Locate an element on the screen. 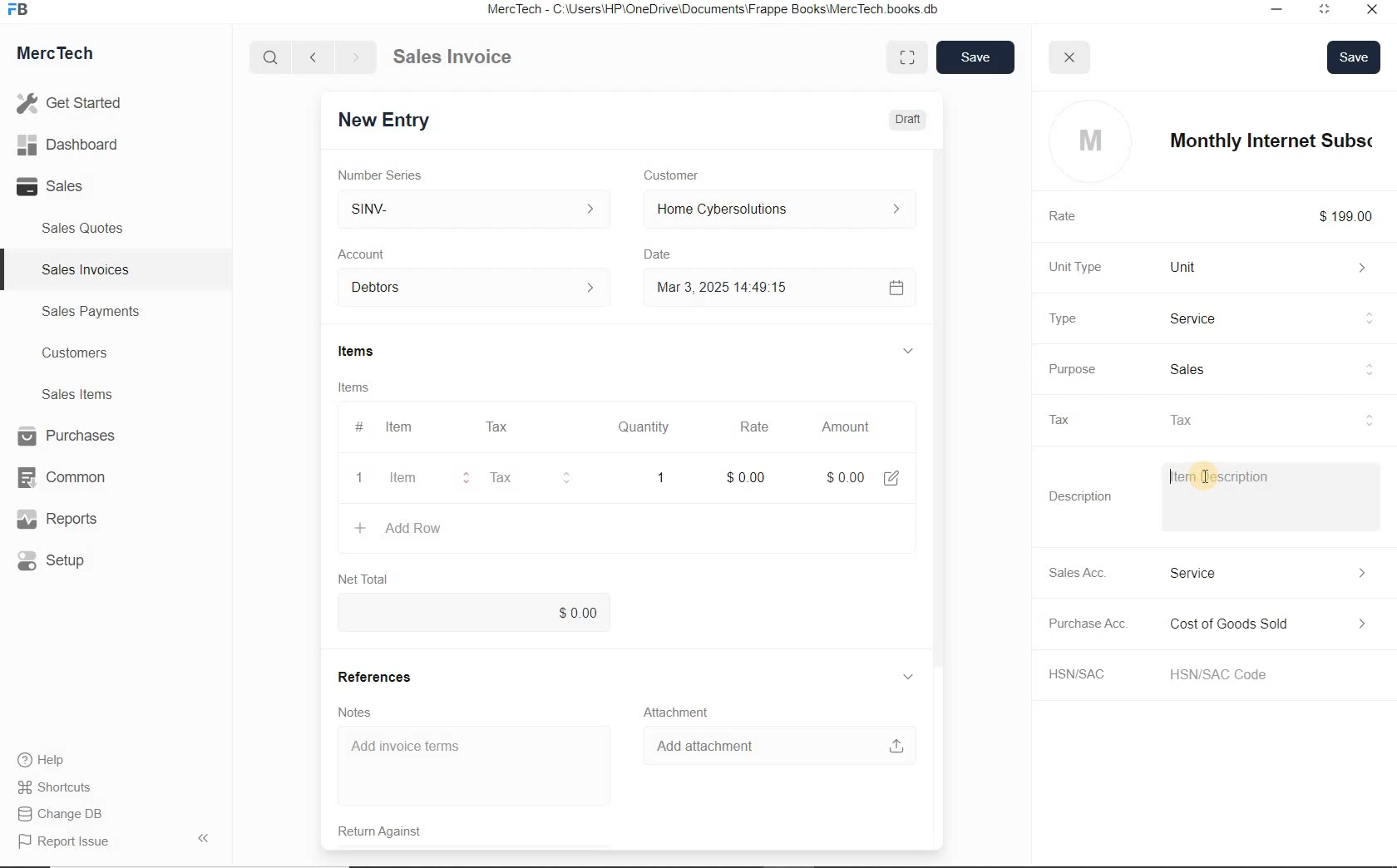 Image resolution: width=1397 pixels, height=868 pixels. Common is located at coordinates (69, 476).